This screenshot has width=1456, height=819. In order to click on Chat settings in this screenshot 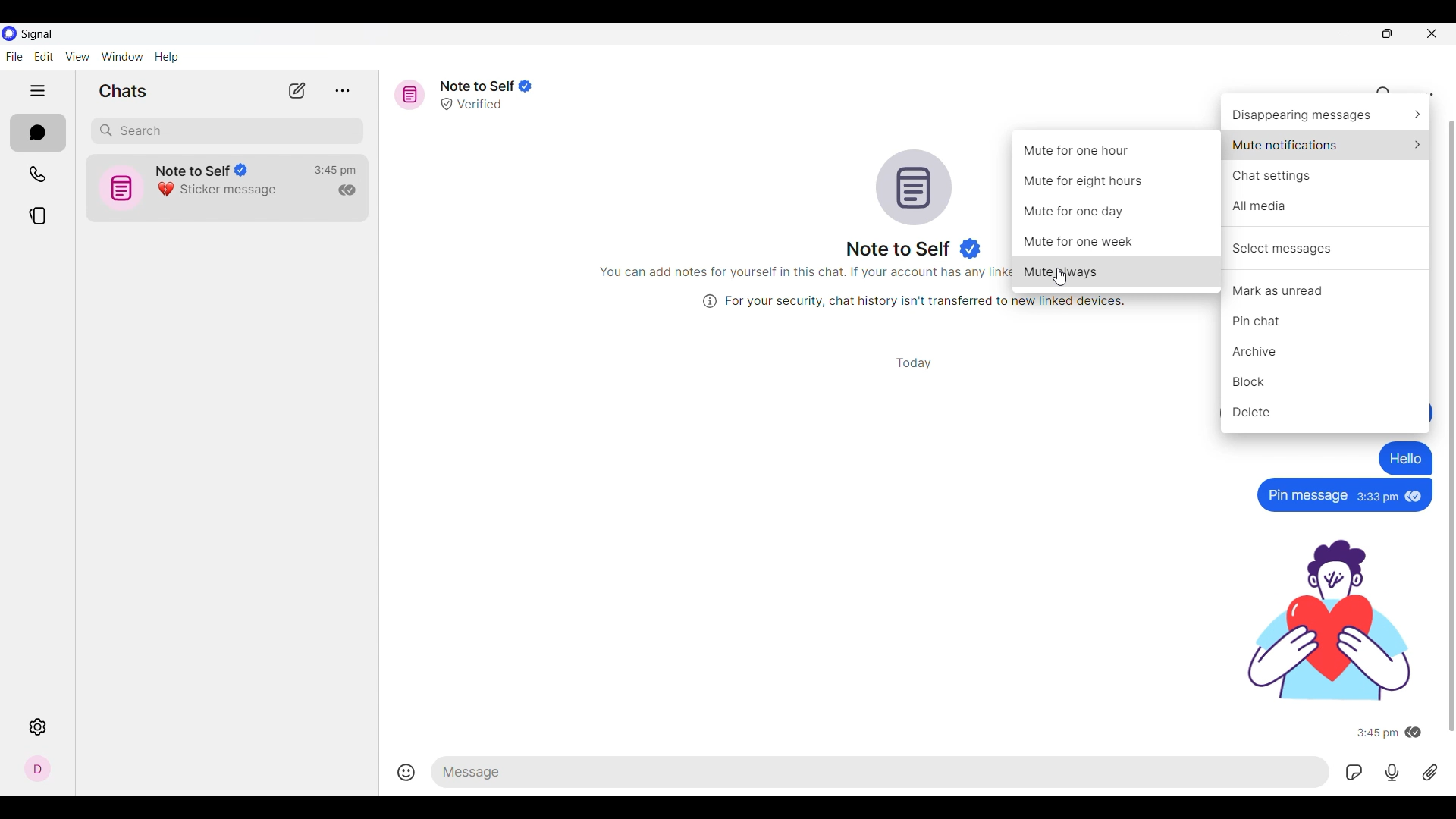, I will do `click(1326, 177)`.